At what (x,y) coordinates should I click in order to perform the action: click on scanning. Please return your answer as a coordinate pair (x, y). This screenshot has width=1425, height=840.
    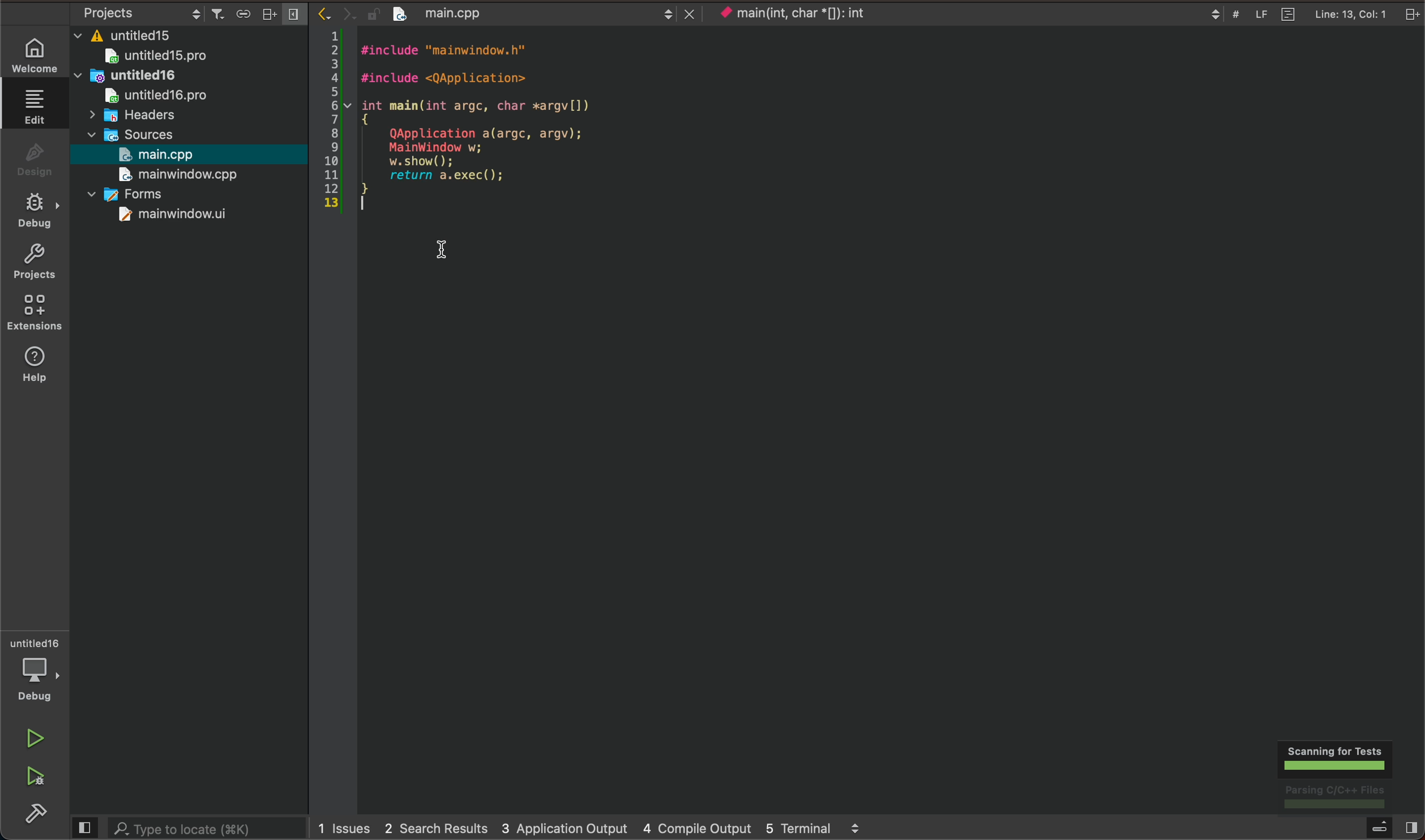
    Looking at the image, I should click on (1334, 776).